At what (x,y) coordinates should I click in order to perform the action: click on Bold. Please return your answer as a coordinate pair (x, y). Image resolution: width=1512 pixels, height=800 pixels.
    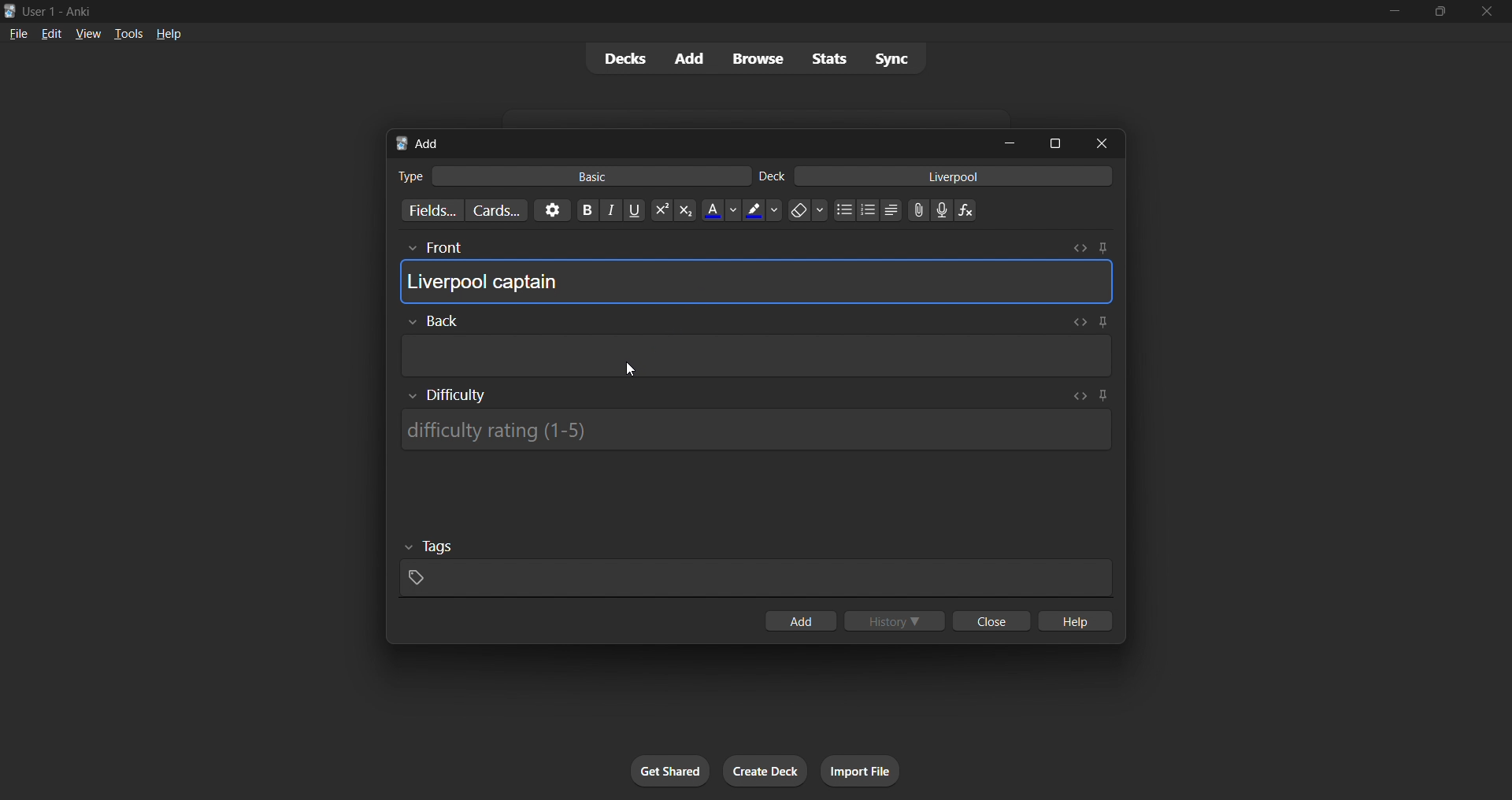
    Looking at the image, I should click on (587, 210).